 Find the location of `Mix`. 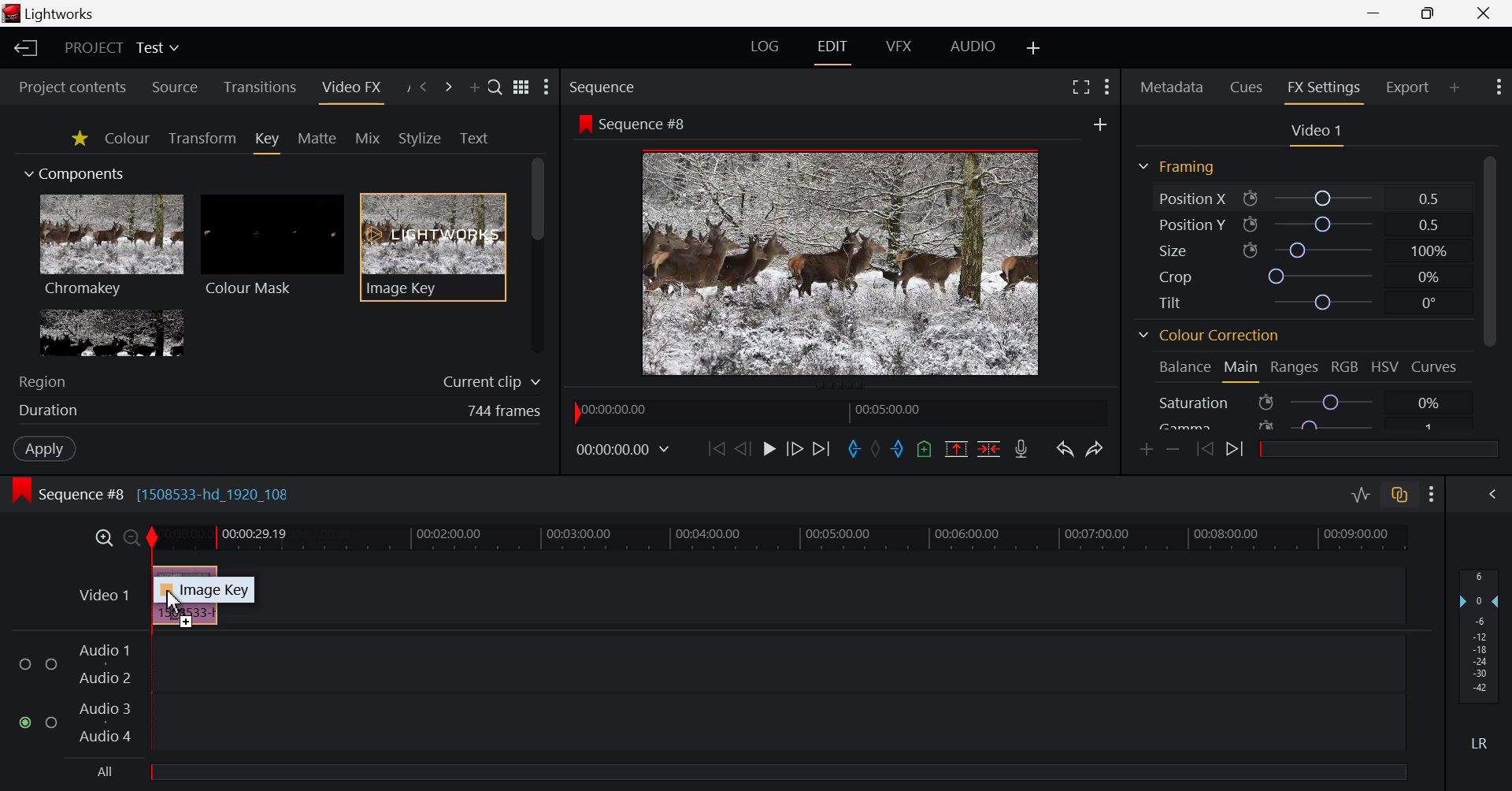

Mix is located at coordinates (367, 138).